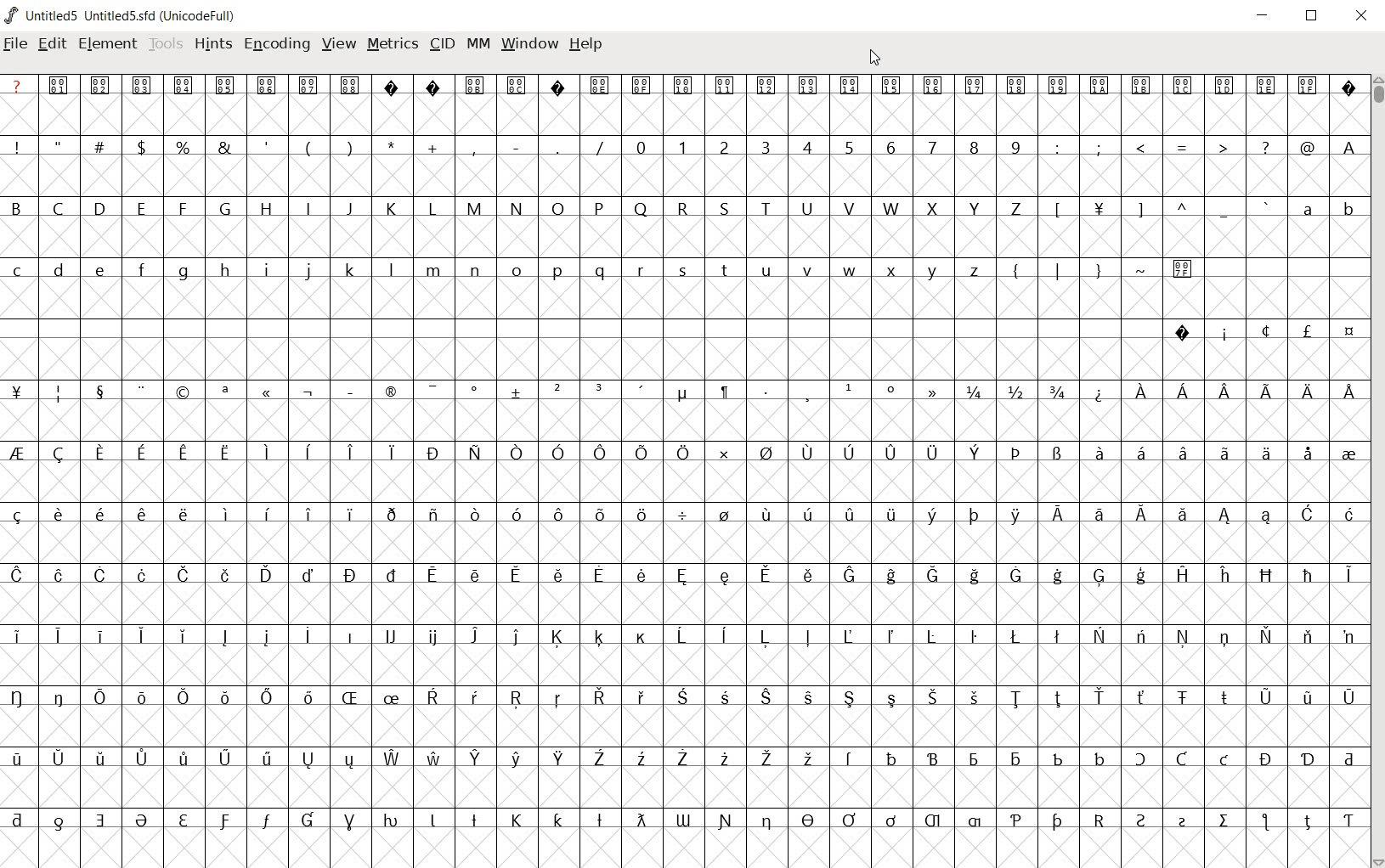 Image resolution: width=1385 pixels, height=868 pixels. I want to click on L, so click(432, 208).